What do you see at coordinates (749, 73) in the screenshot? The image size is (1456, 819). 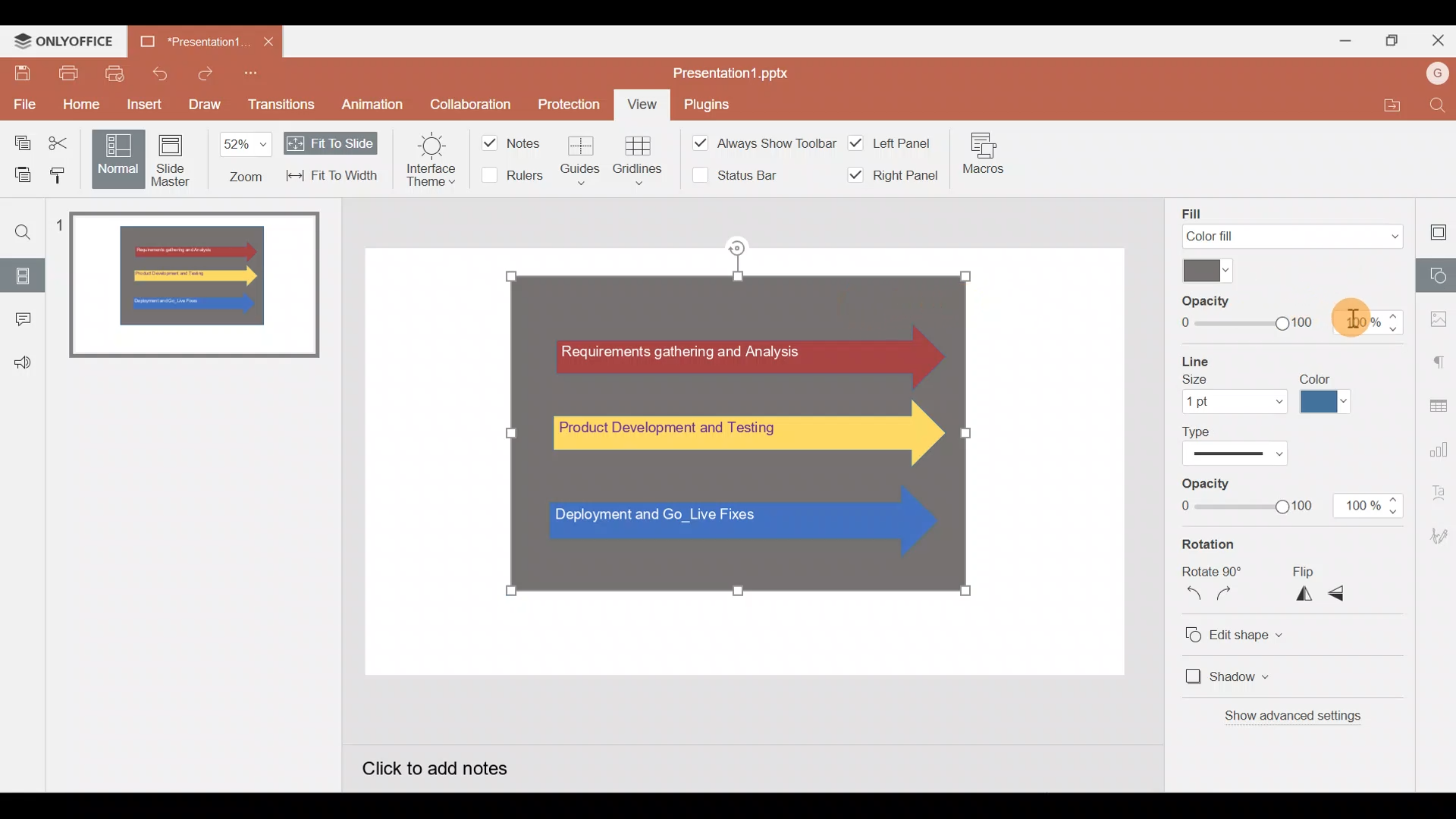 I see `Presentation1.pptx` at bounding box center [749, 73].